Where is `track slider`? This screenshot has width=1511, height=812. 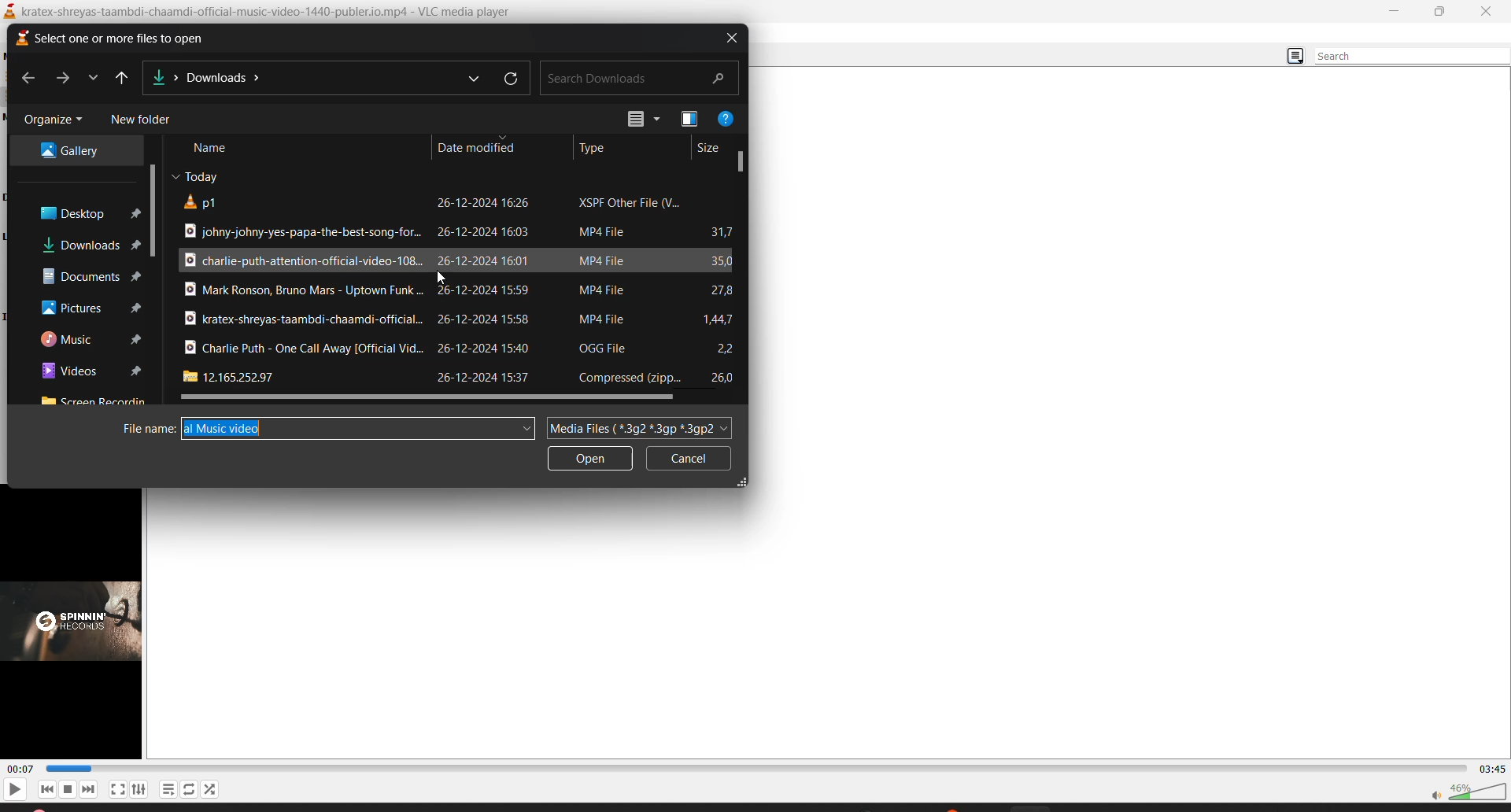
track slider is located at coordinates (759, 769).